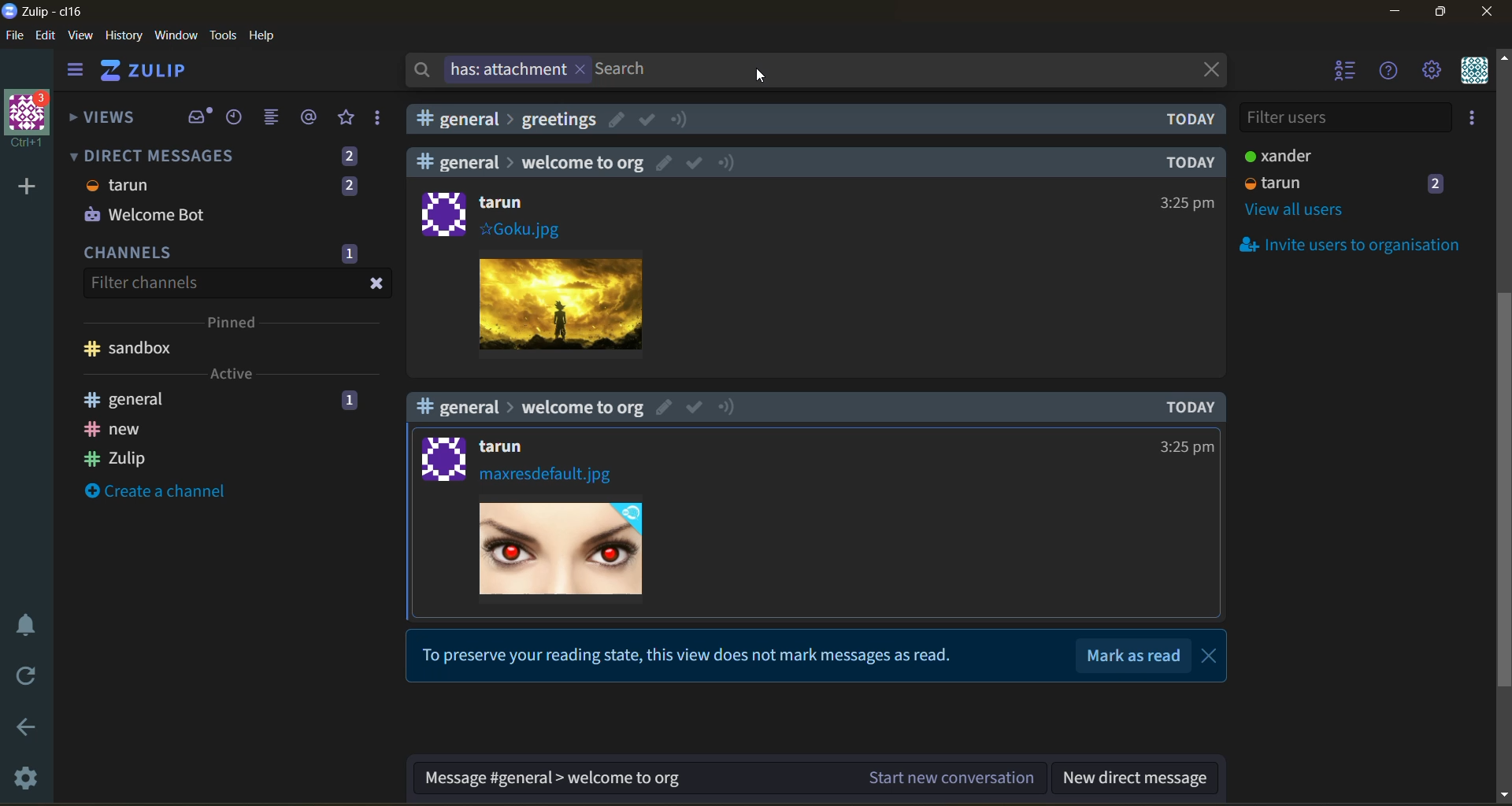 The width and height of the screenshot is (1512, 806). Describe the element at coordinates (28, 186) in the screenshot. I see `add a new organisation` at that location.